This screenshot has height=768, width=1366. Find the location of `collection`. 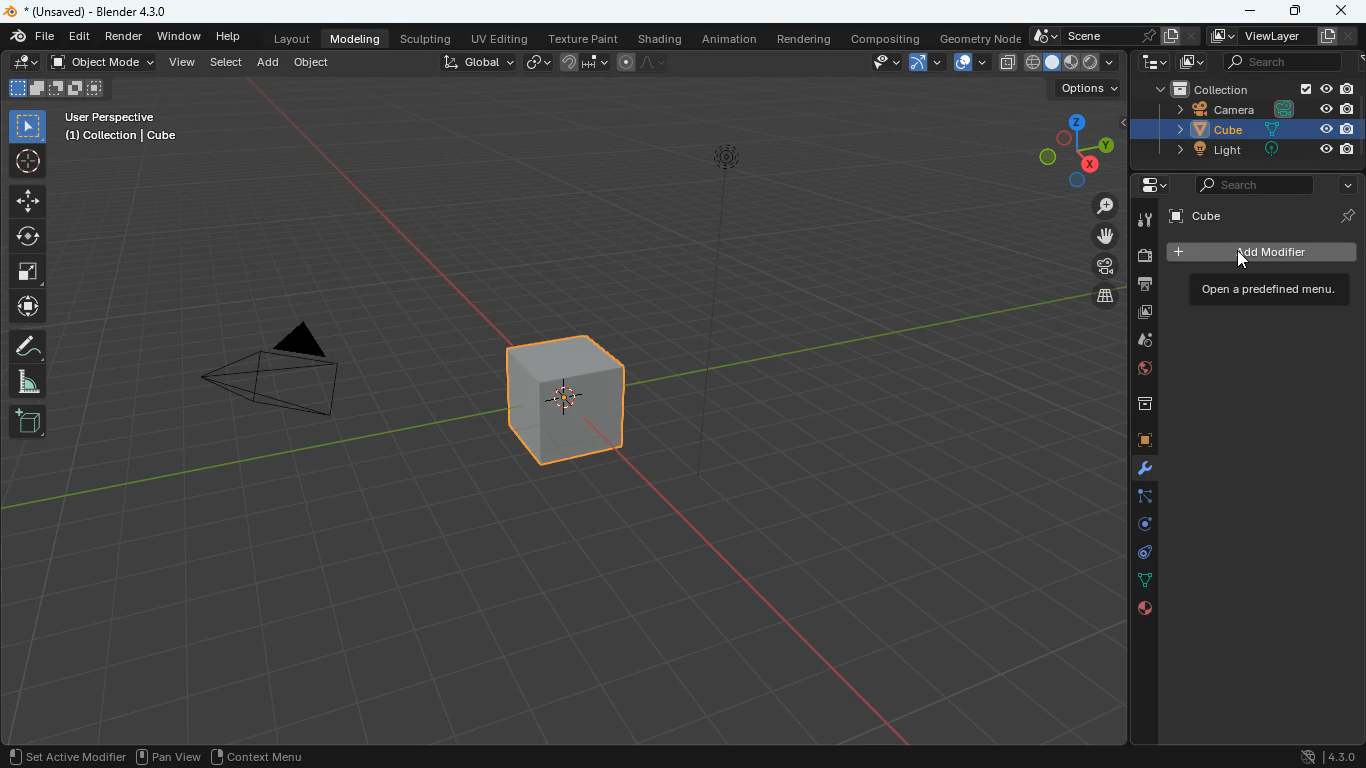

collection is located at coordinates (1248, 88).